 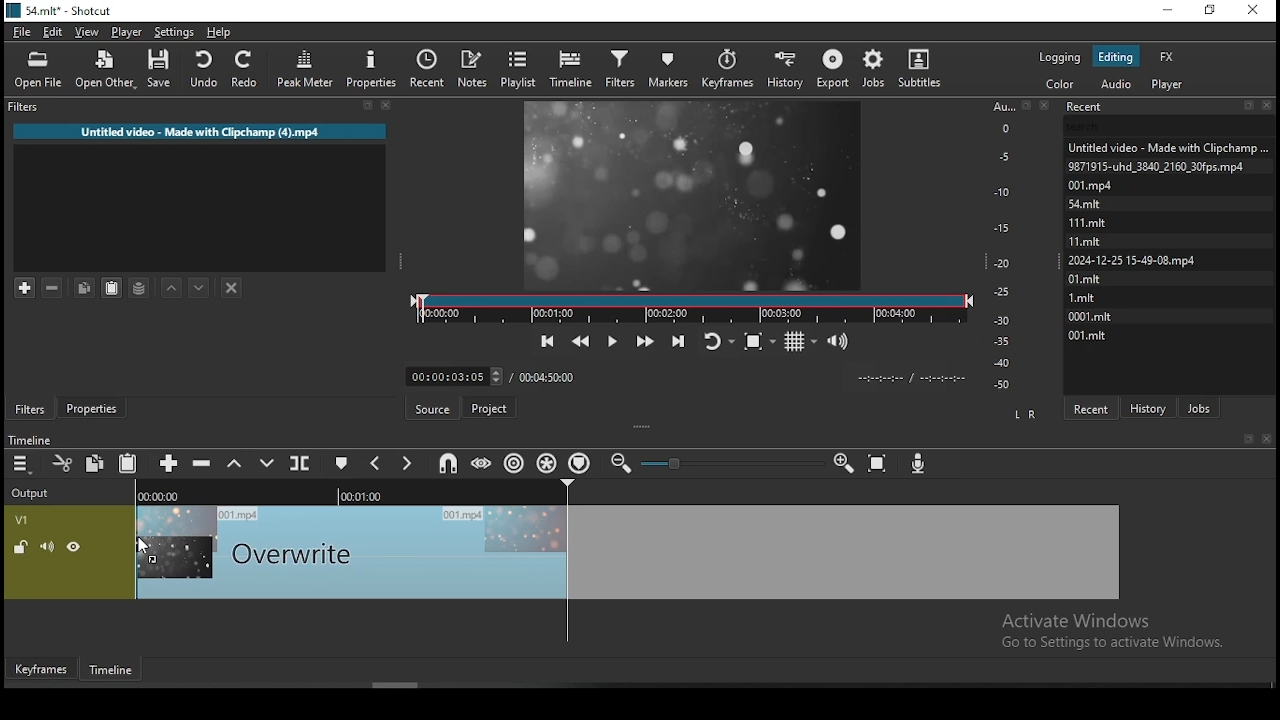 What do you see at coordinates (1211, 11) in the screenshot?
I see `restore` at bounding box center [1211, 11].